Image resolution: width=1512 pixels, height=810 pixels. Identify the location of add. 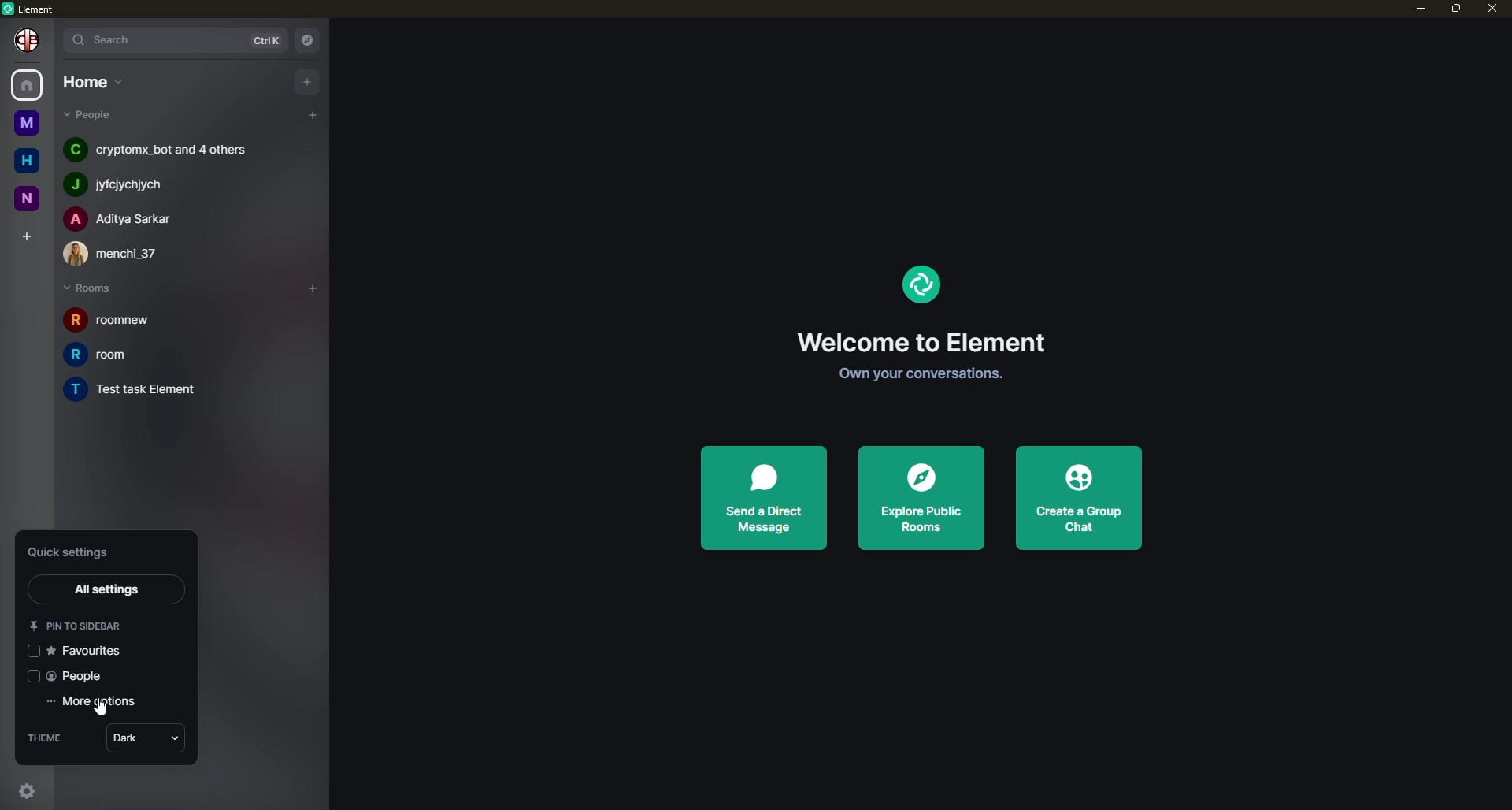
(310, 113).